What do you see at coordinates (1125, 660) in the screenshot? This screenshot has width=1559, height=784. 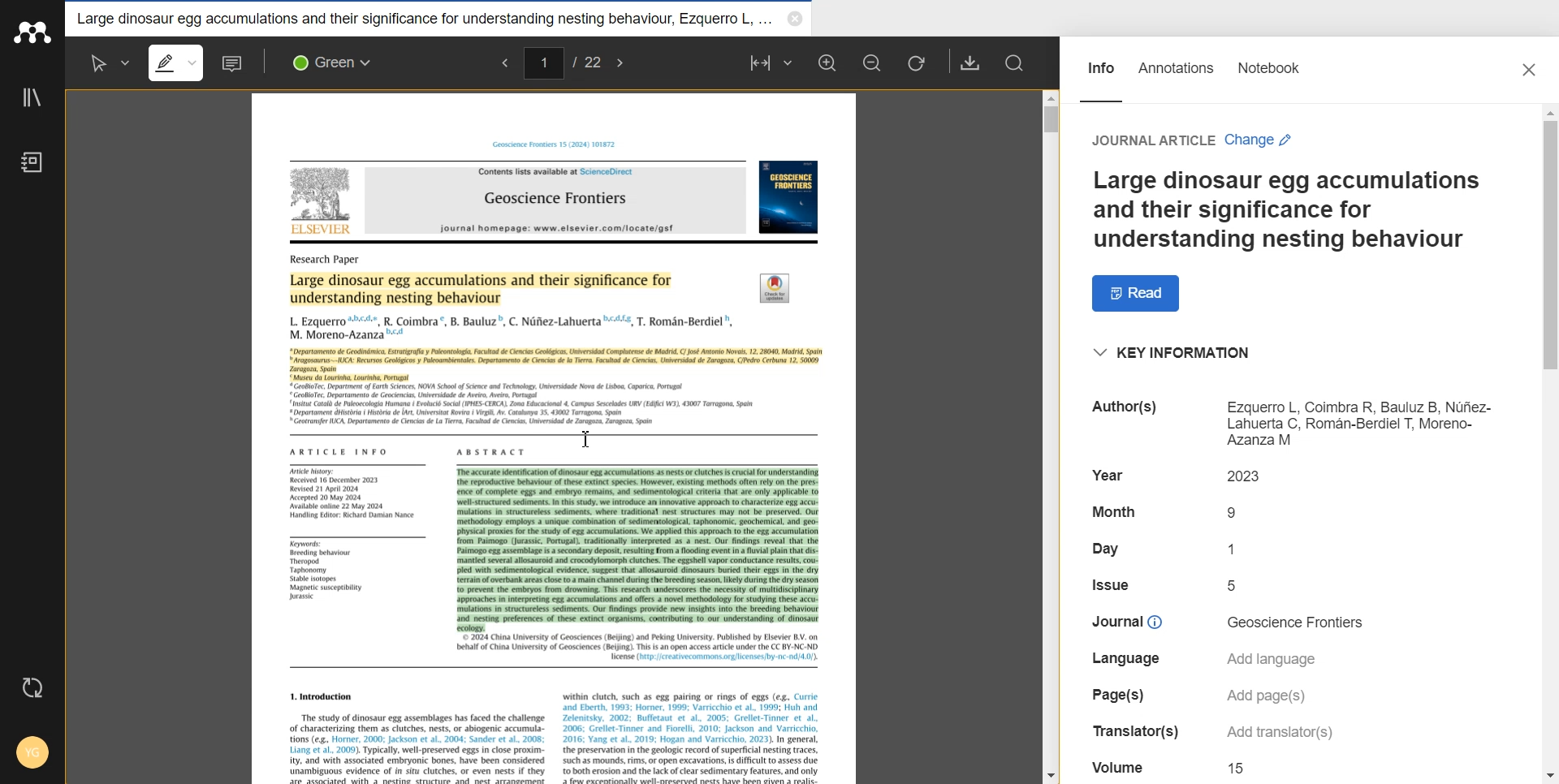 I see `text` at bounding box center [1125, 660].